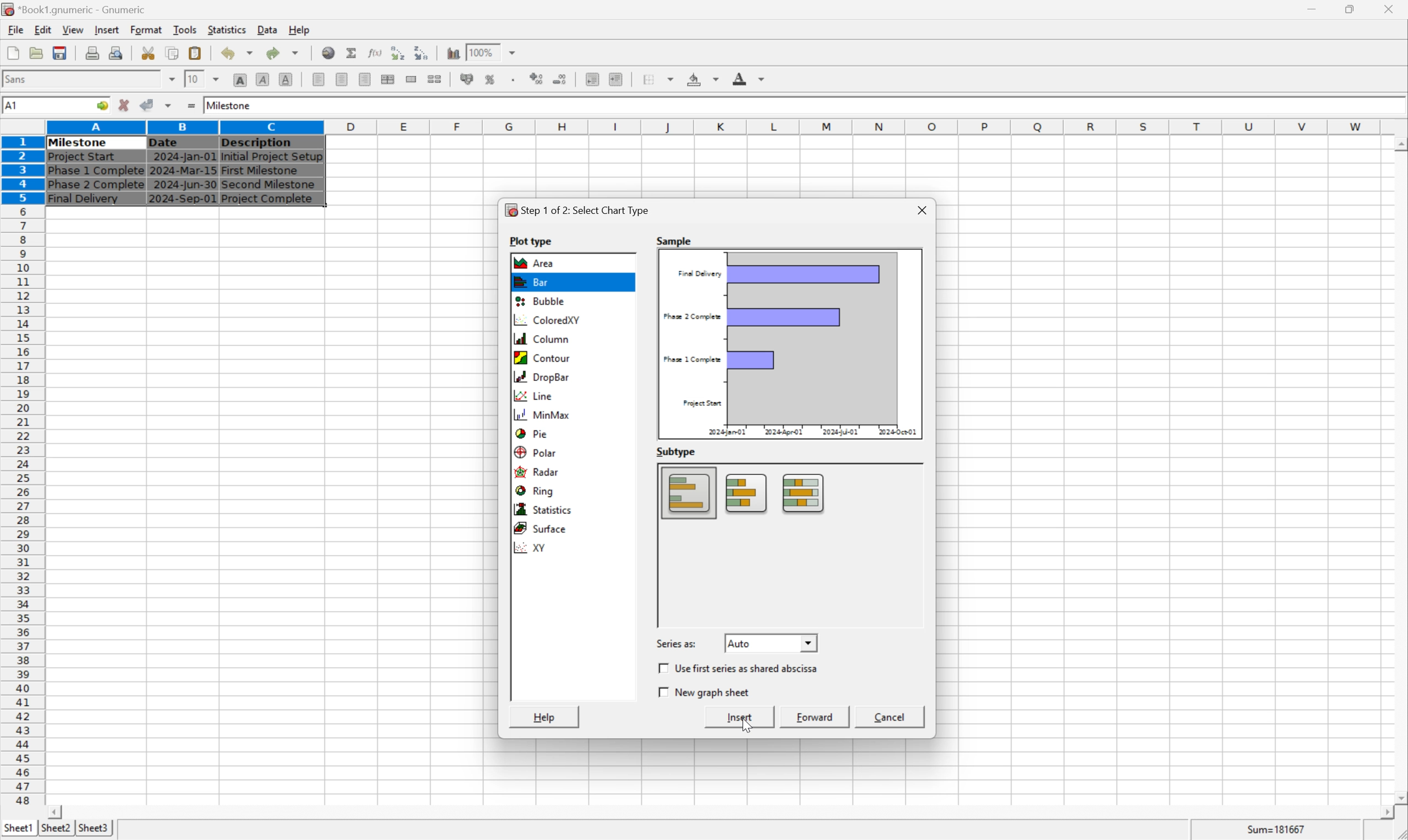  I want to click on merge a range of cells, so click(412, 79).